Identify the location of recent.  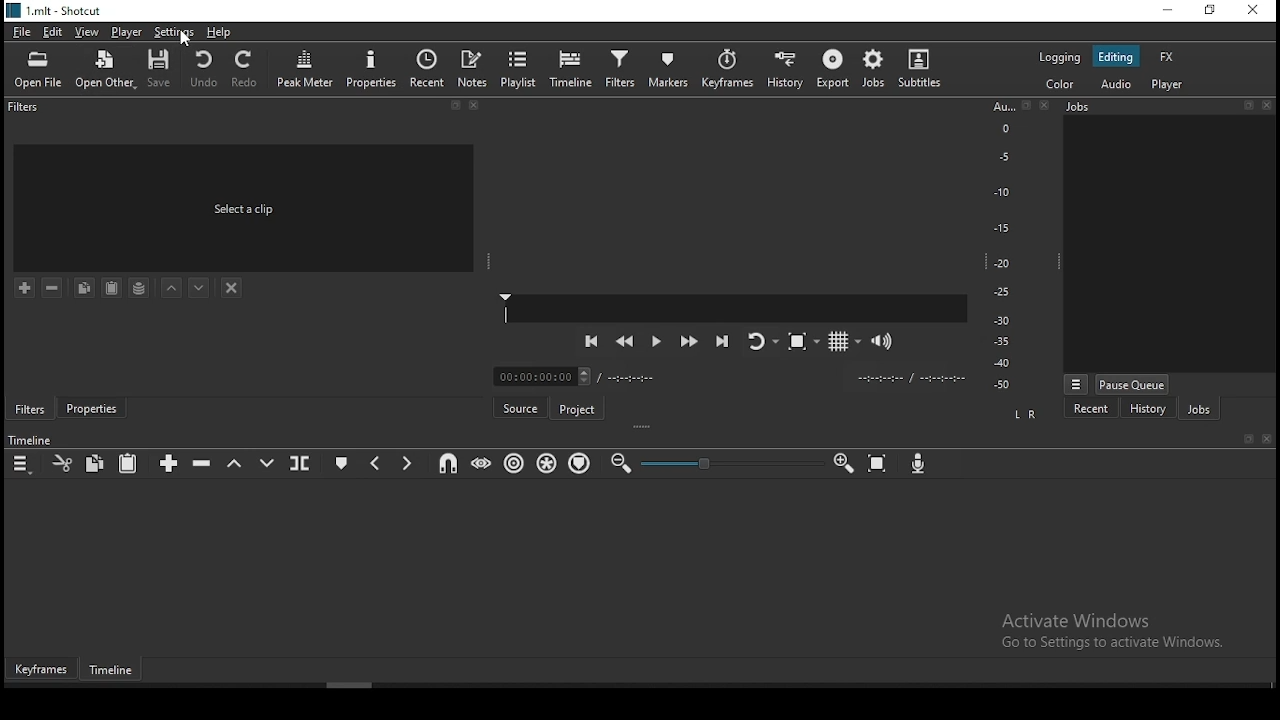
(428, 68).